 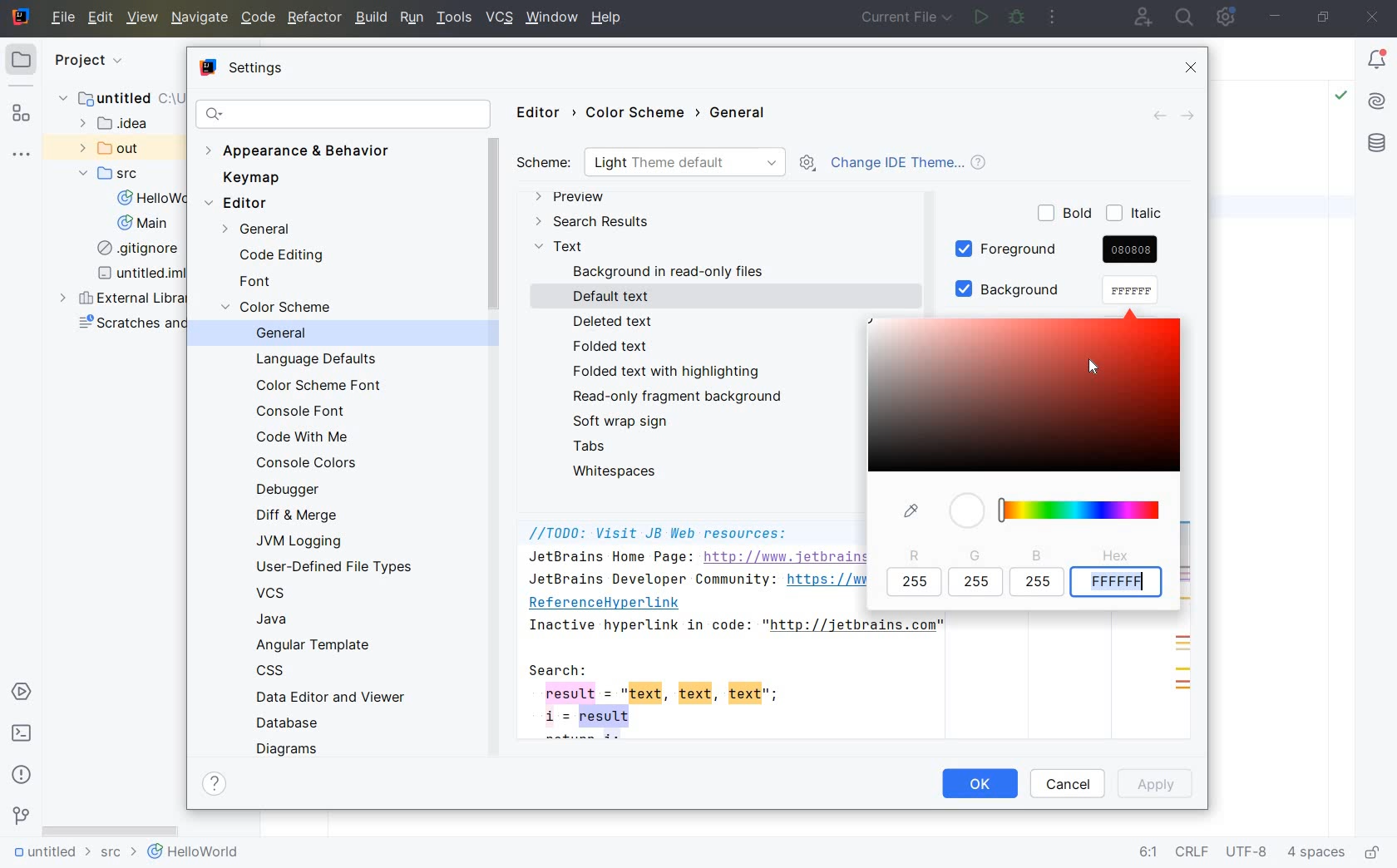 I want to click on SCHEME, so click(x=653, y=163).